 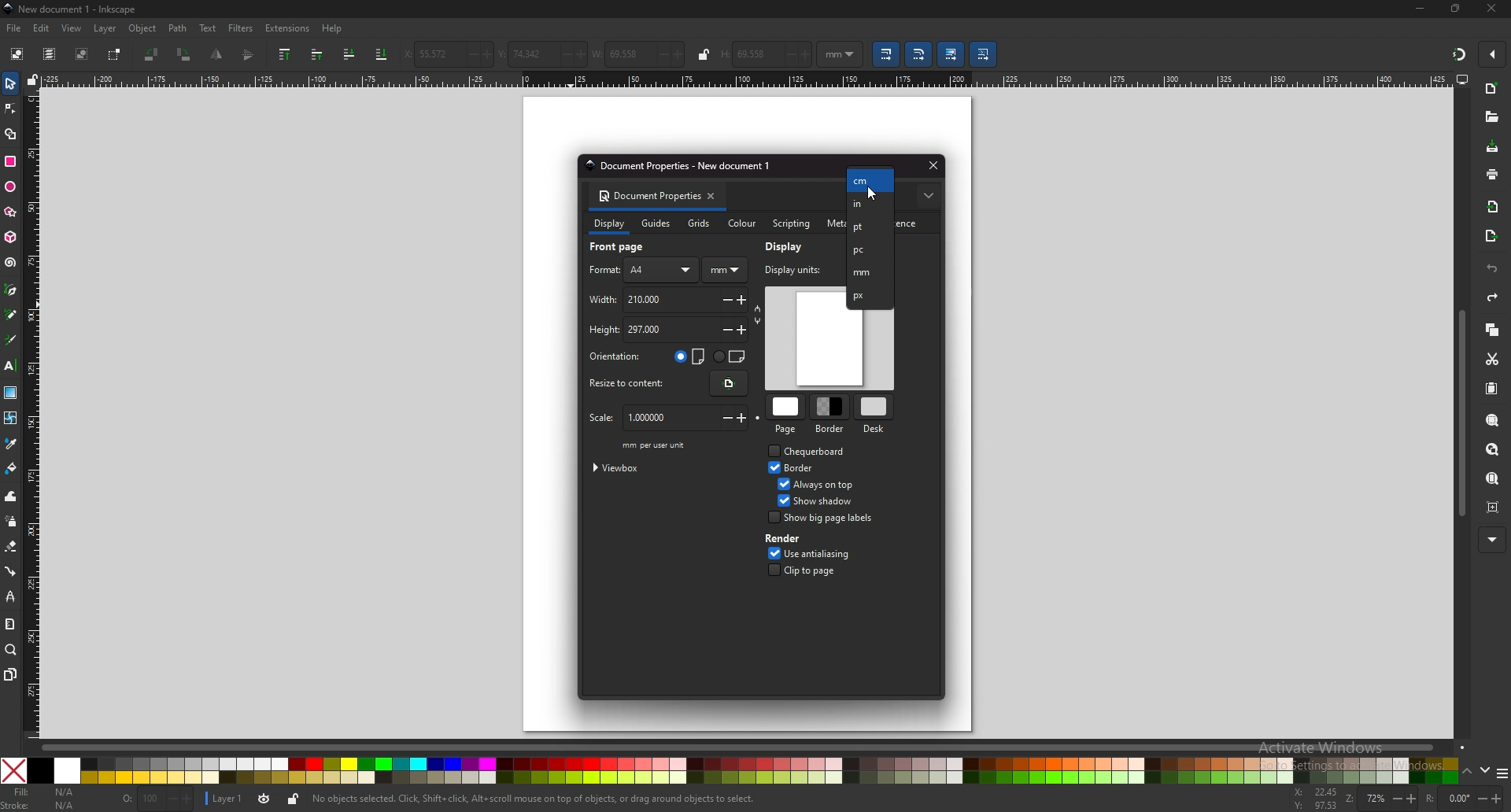 I want to click on cursor coordinates x-axis, so click(x=1313, y=793).